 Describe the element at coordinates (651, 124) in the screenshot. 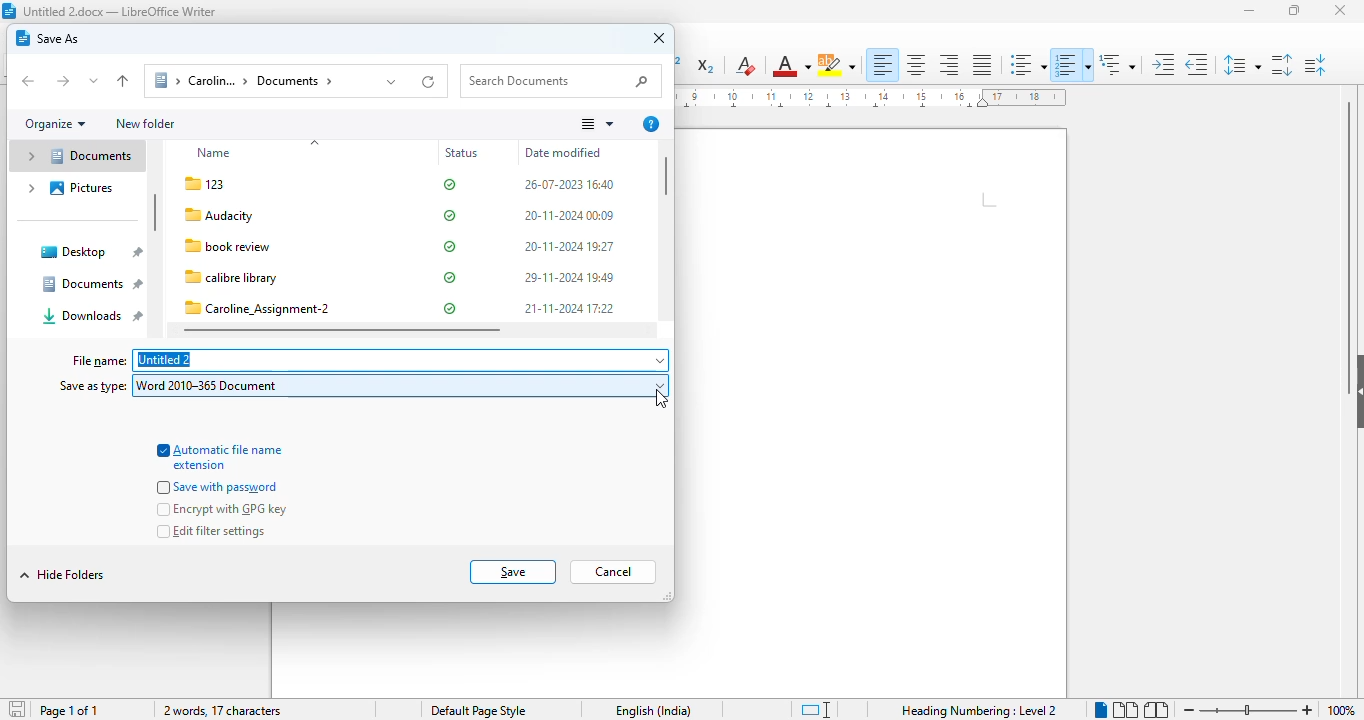

I see `more options` at that location.